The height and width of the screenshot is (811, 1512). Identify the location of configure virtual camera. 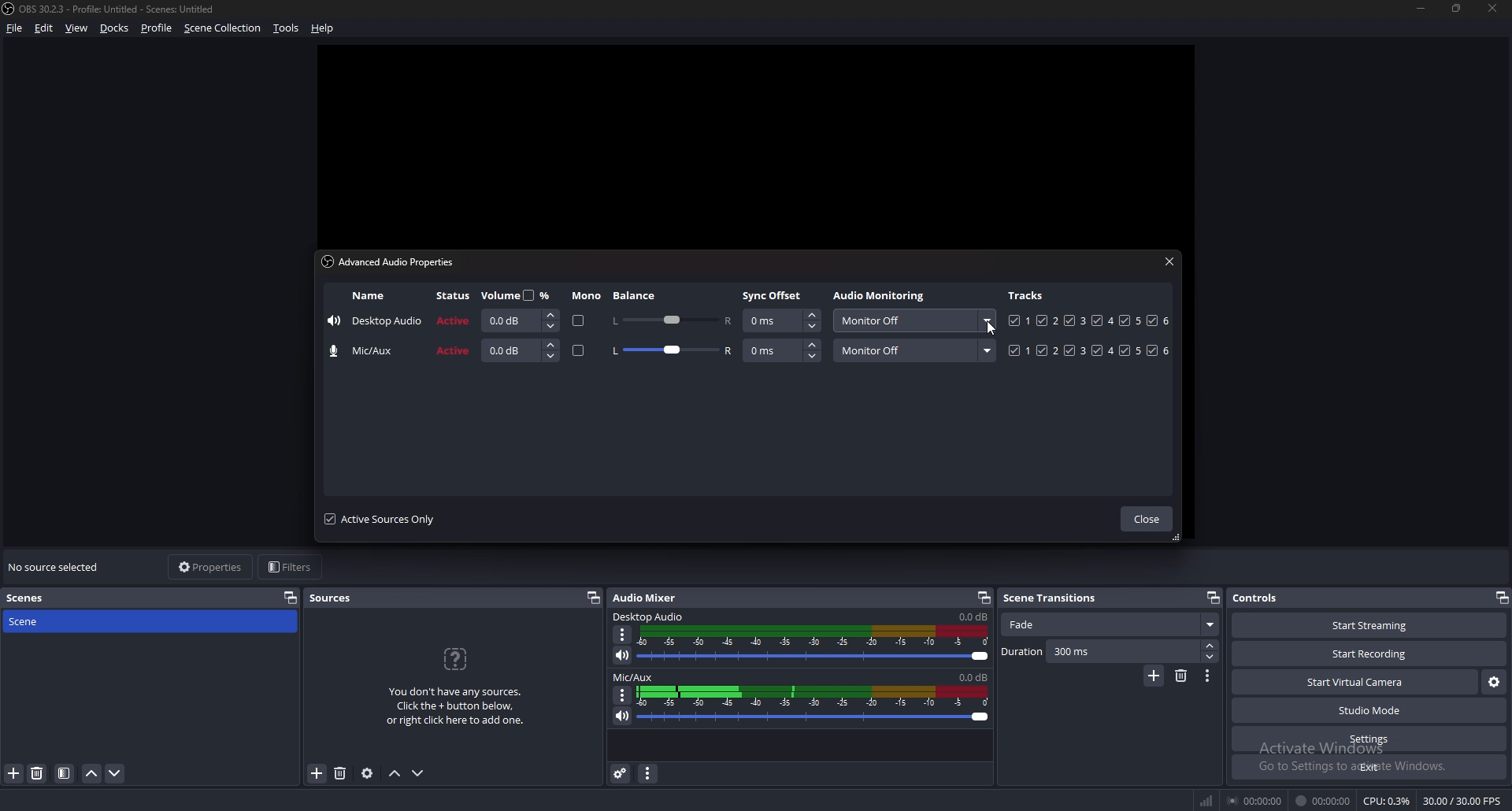
(1493, 683).